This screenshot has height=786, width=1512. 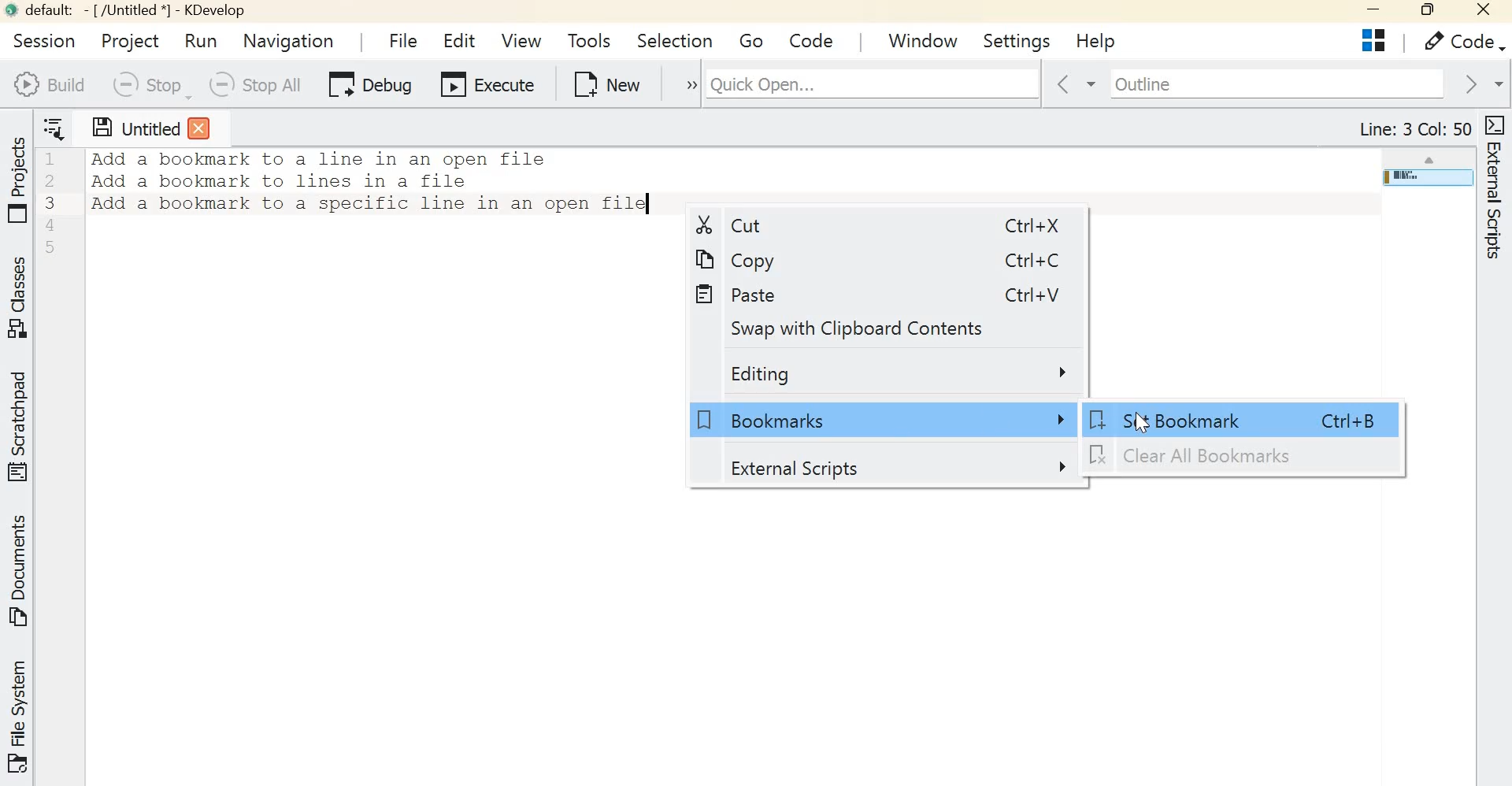 I want to click on cut, so click(x=728, y=226).